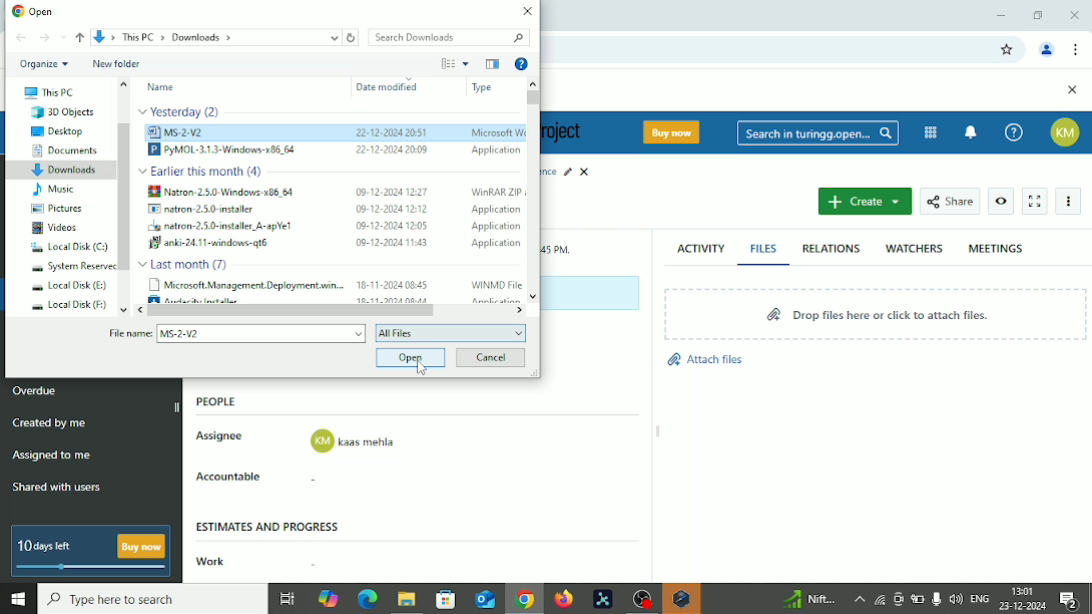  I want to click on Warning, so click(681, 599).